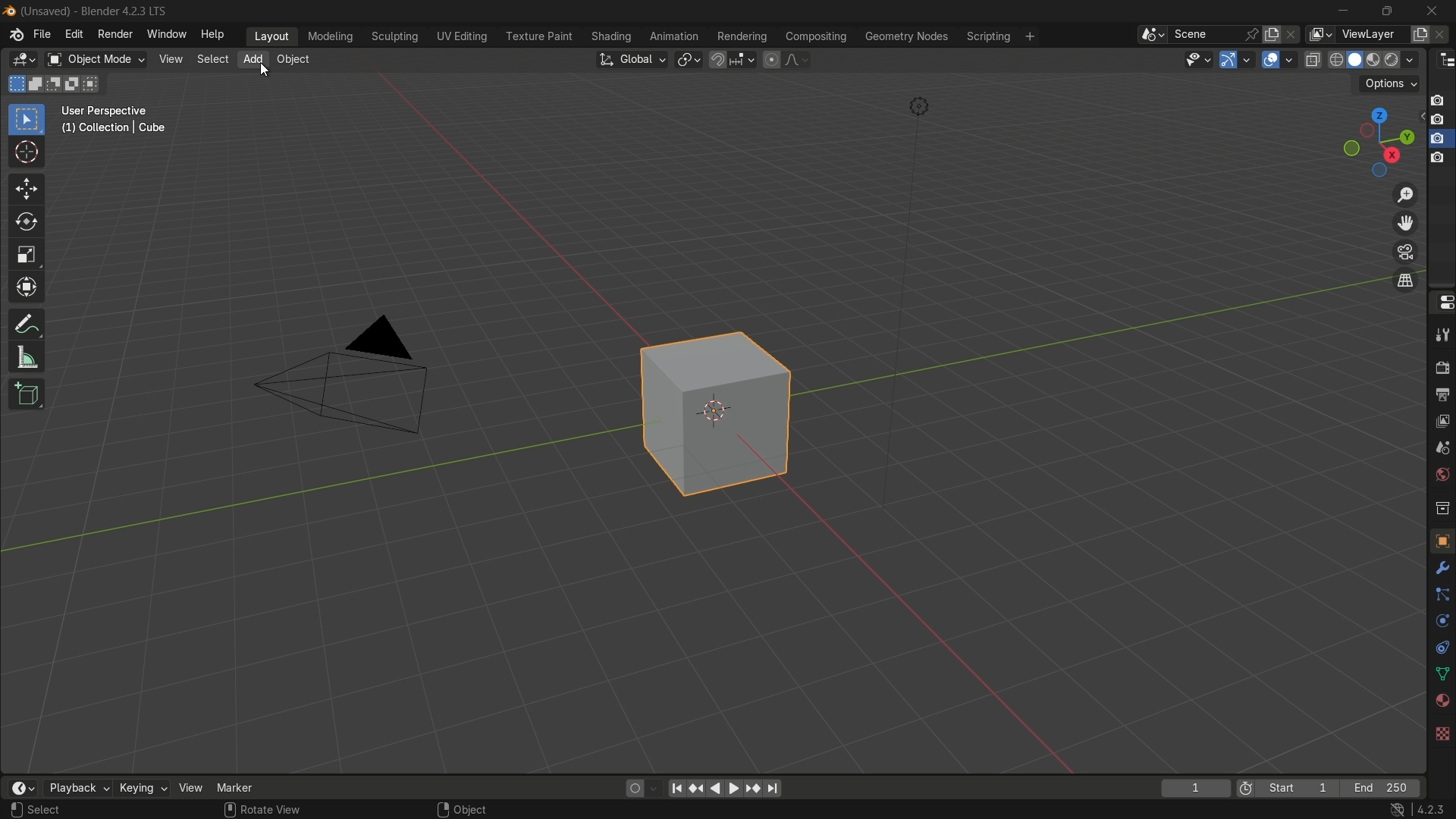 The image size is (1456, 819). What do you see at coordinates (441, 809) in the screenshot?
I see `right click mouse` at bounding box center [441, 809].